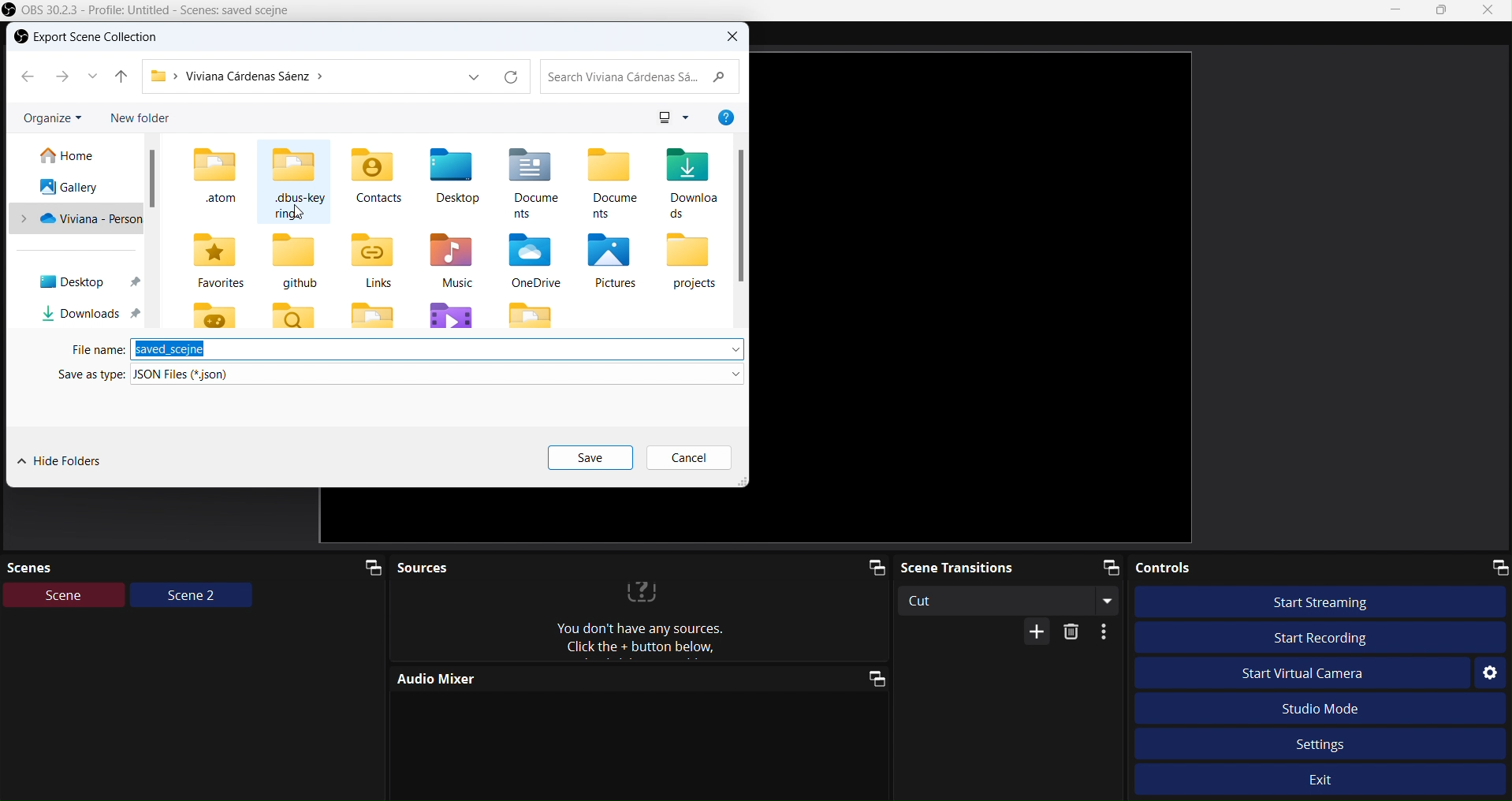  I want to click on Save as type , so click(400, 373).